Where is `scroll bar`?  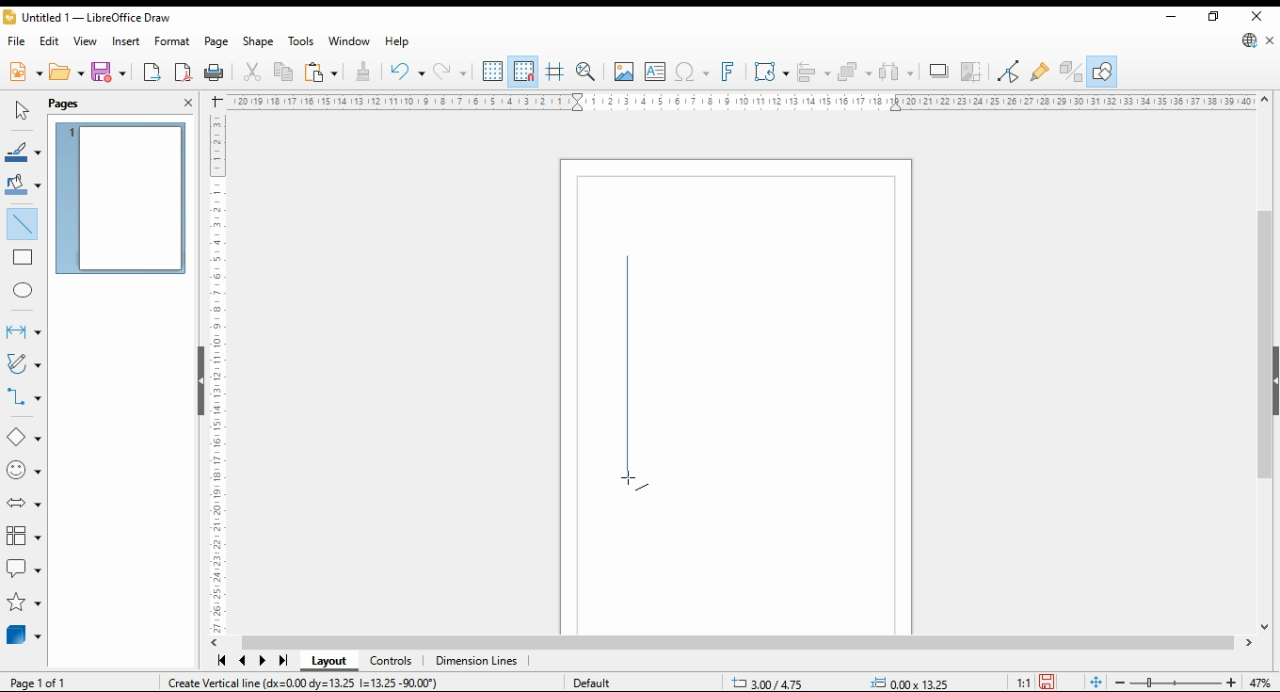 scroll bar is located at coordinates (738, 642).